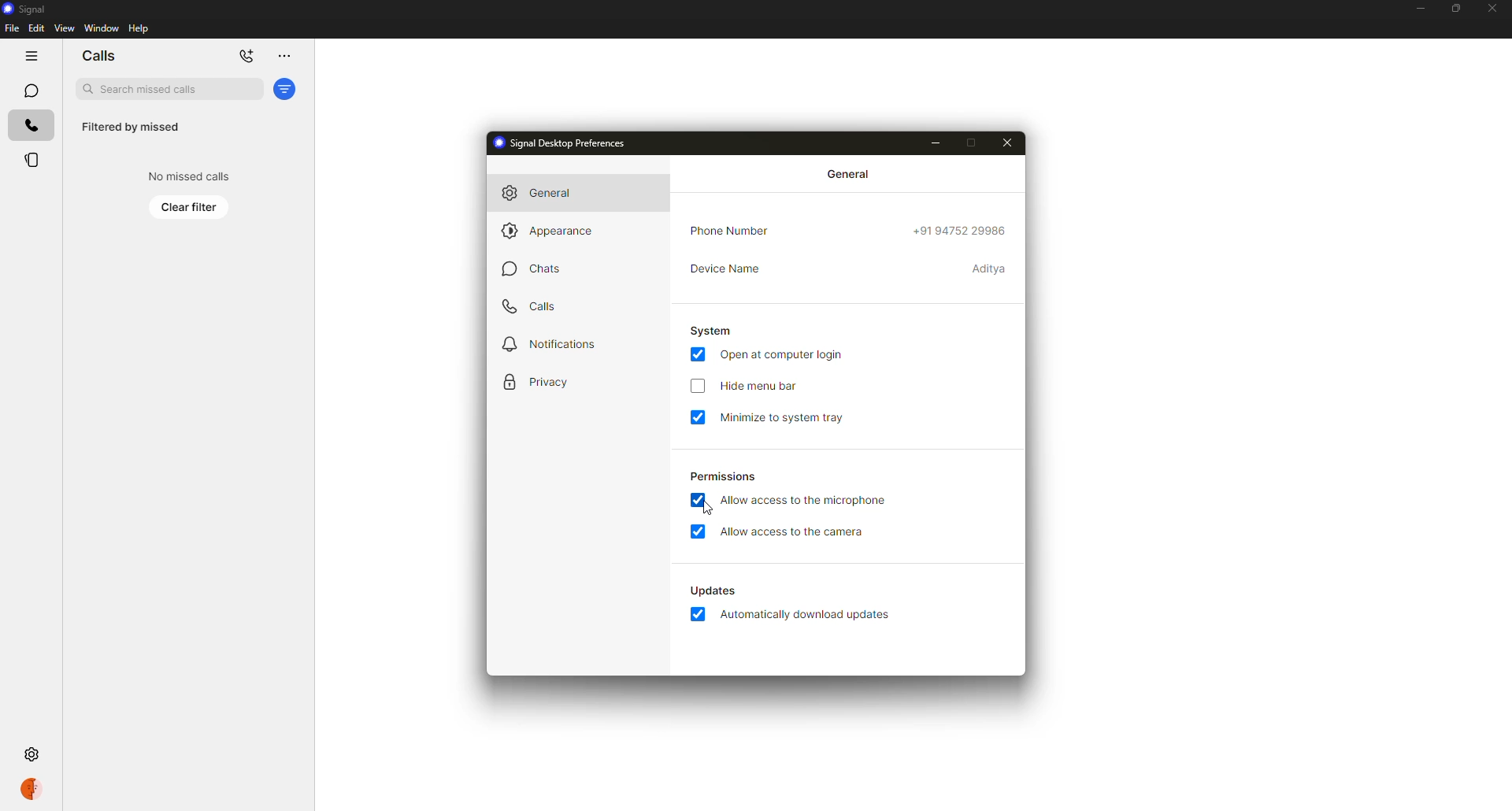  Describe the element at coordinates (540, 383) in the screenshot. I see `privacy` at that location.